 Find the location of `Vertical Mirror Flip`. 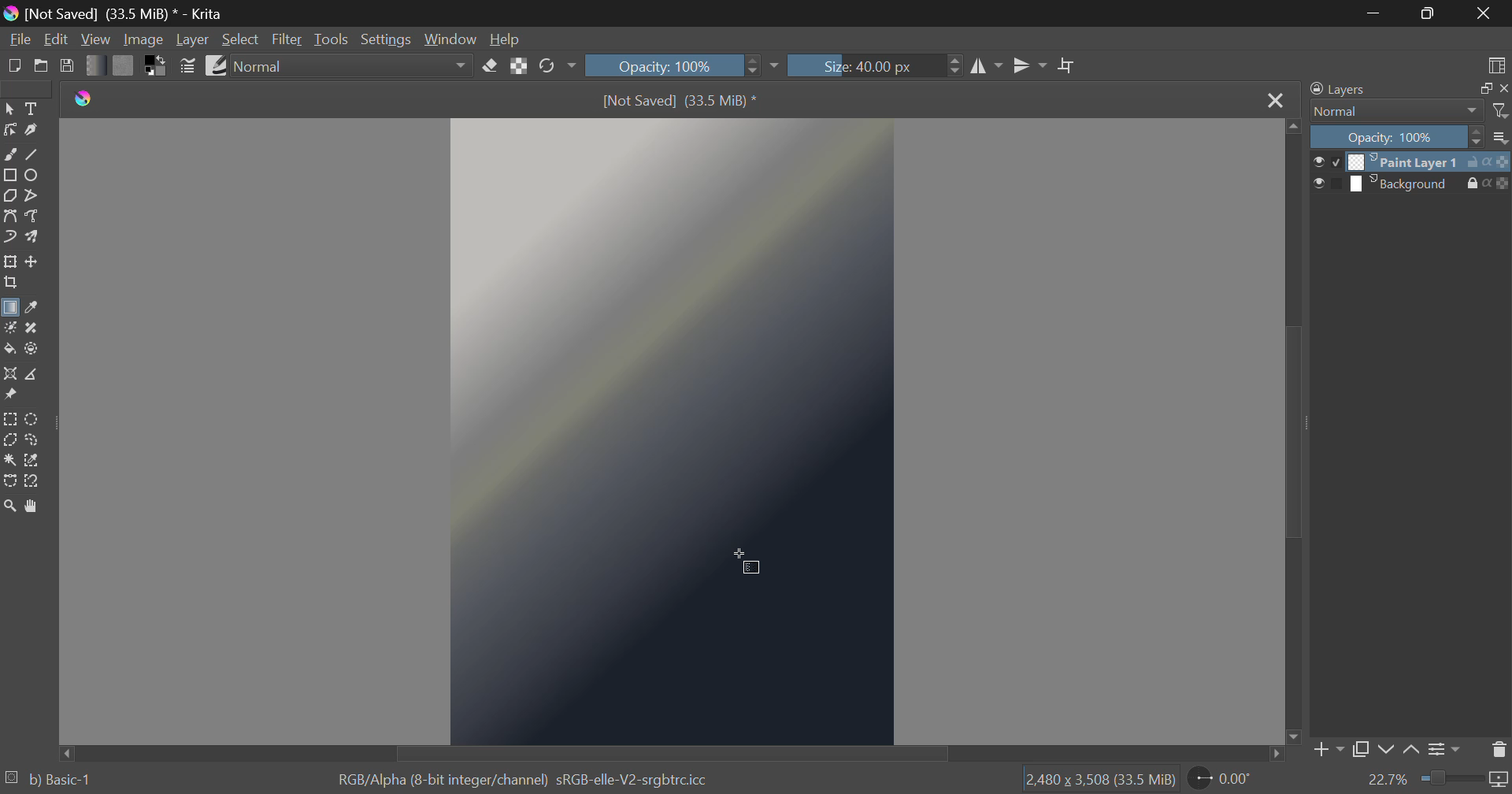

Vertical Mirror Flip is located at coordinates (987, 68).